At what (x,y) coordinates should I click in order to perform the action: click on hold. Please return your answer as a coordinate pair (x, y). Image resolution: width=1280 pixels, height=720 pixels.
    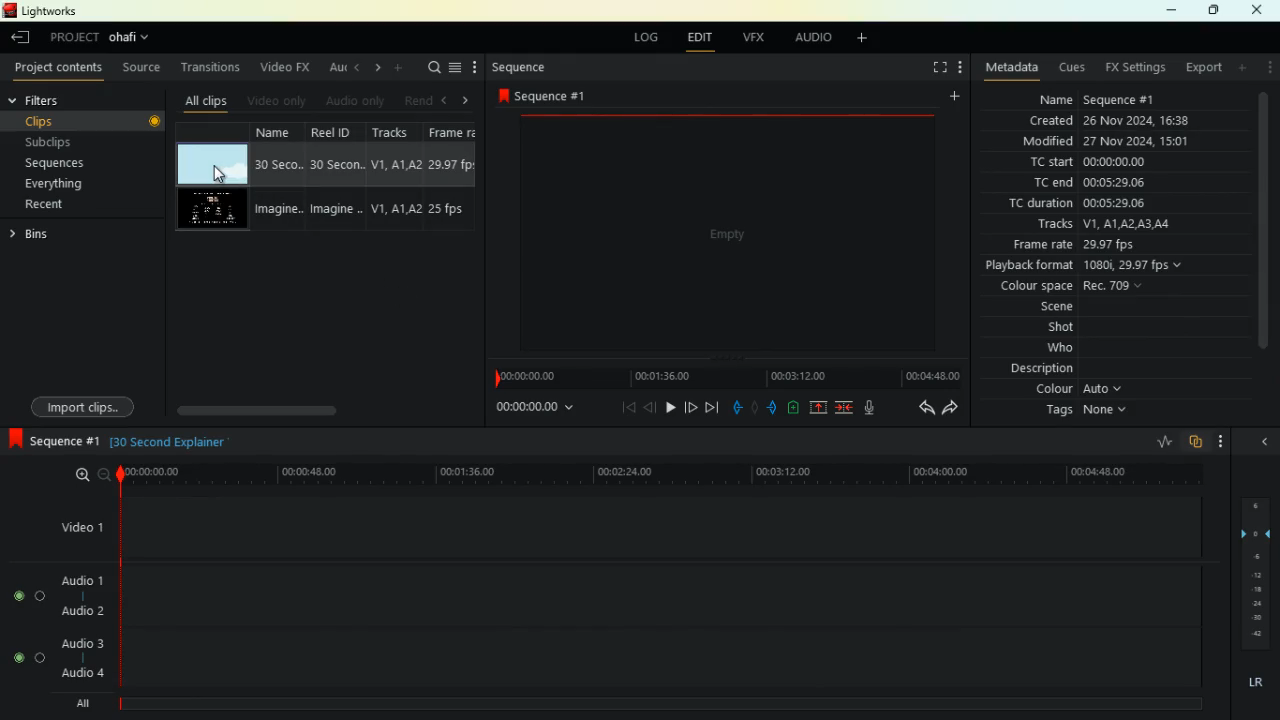
    Looking at the image, I should click on (755, 406).